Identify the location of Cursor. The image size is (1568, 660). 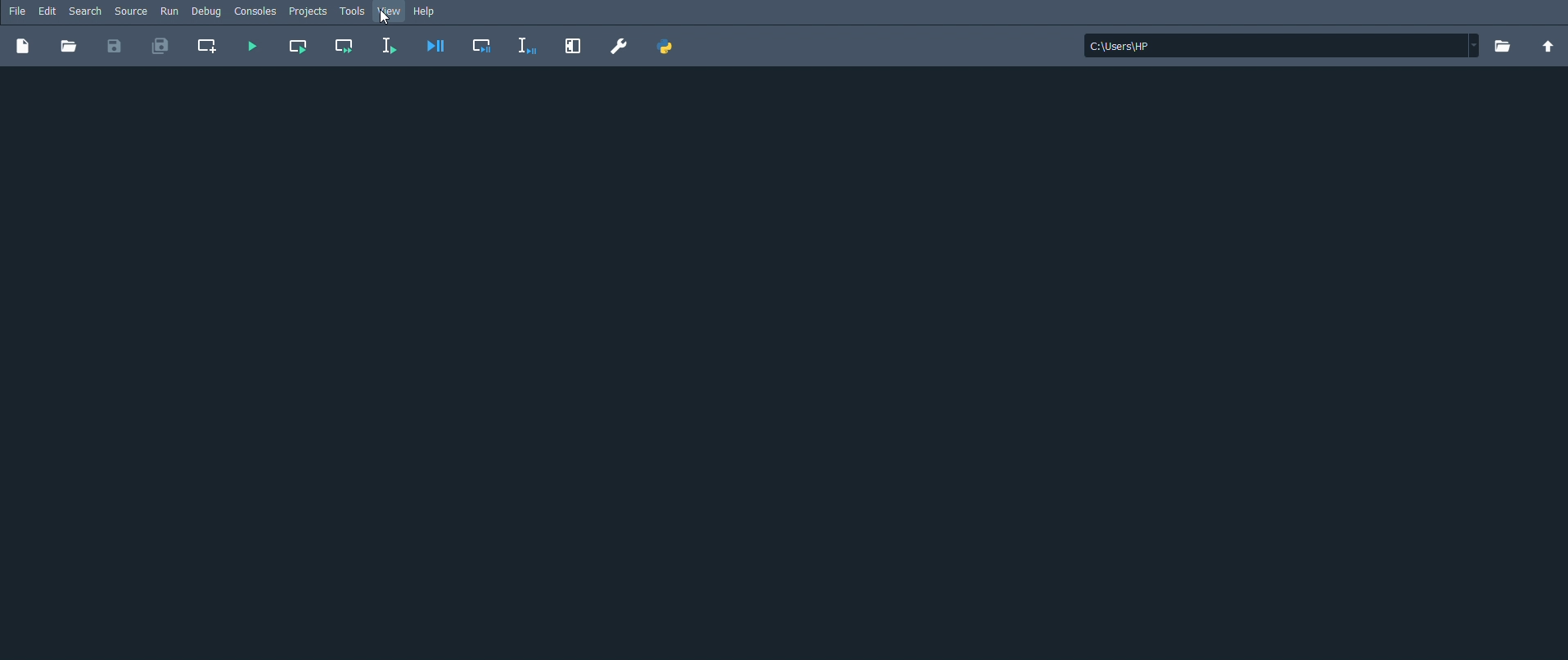
(385, 18).